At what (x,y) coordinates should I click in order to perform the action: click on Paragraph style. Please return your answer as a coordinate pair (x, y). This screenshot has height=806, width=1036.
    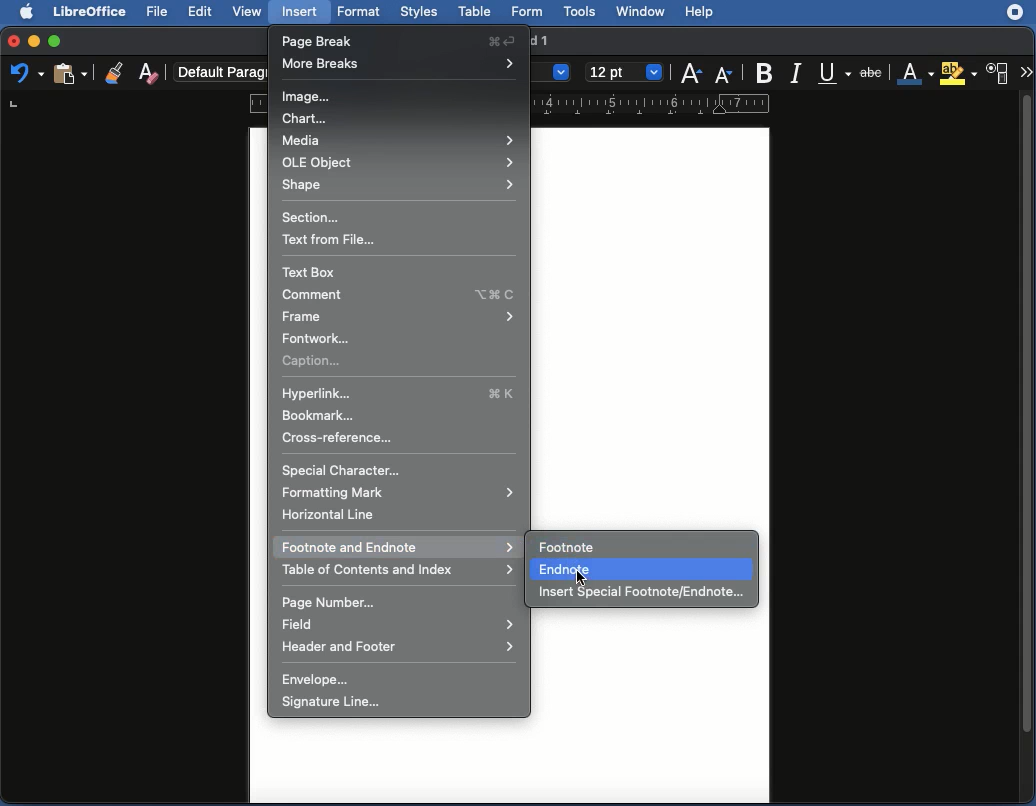
    Looking at the image, I should click on (223, 69).